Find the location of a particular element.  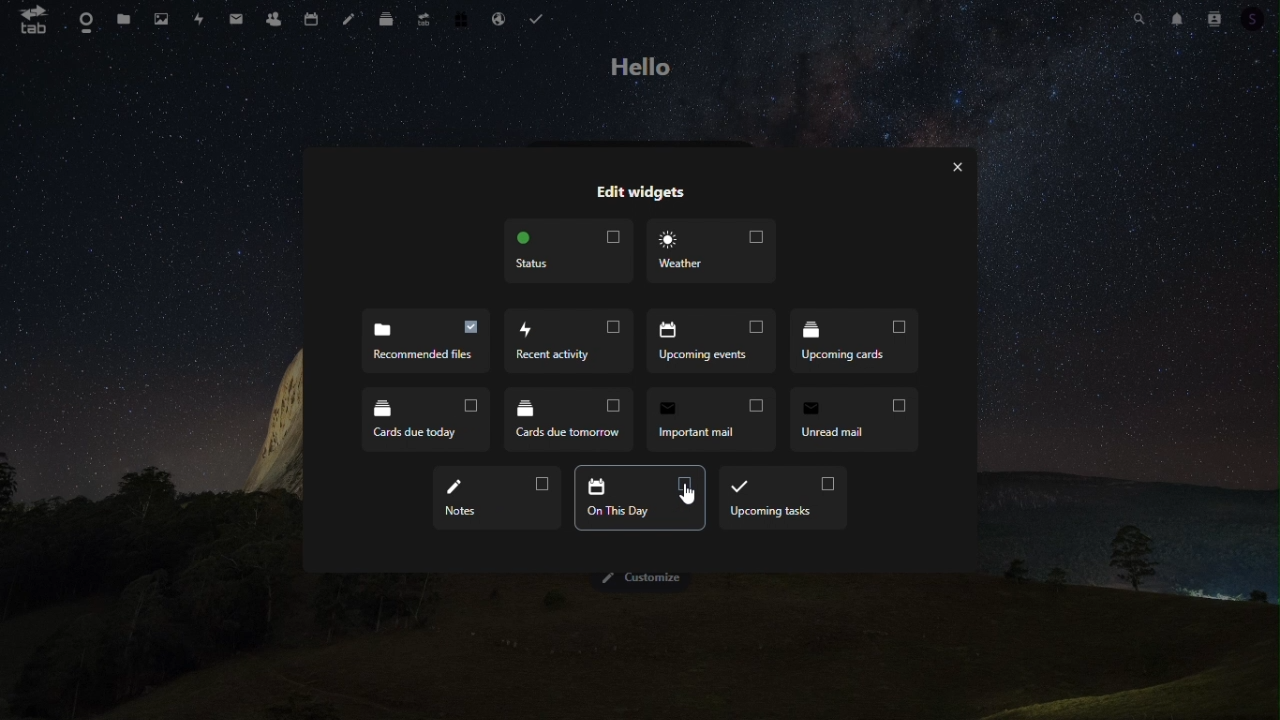

on this day is located at coordinates (499, 498).